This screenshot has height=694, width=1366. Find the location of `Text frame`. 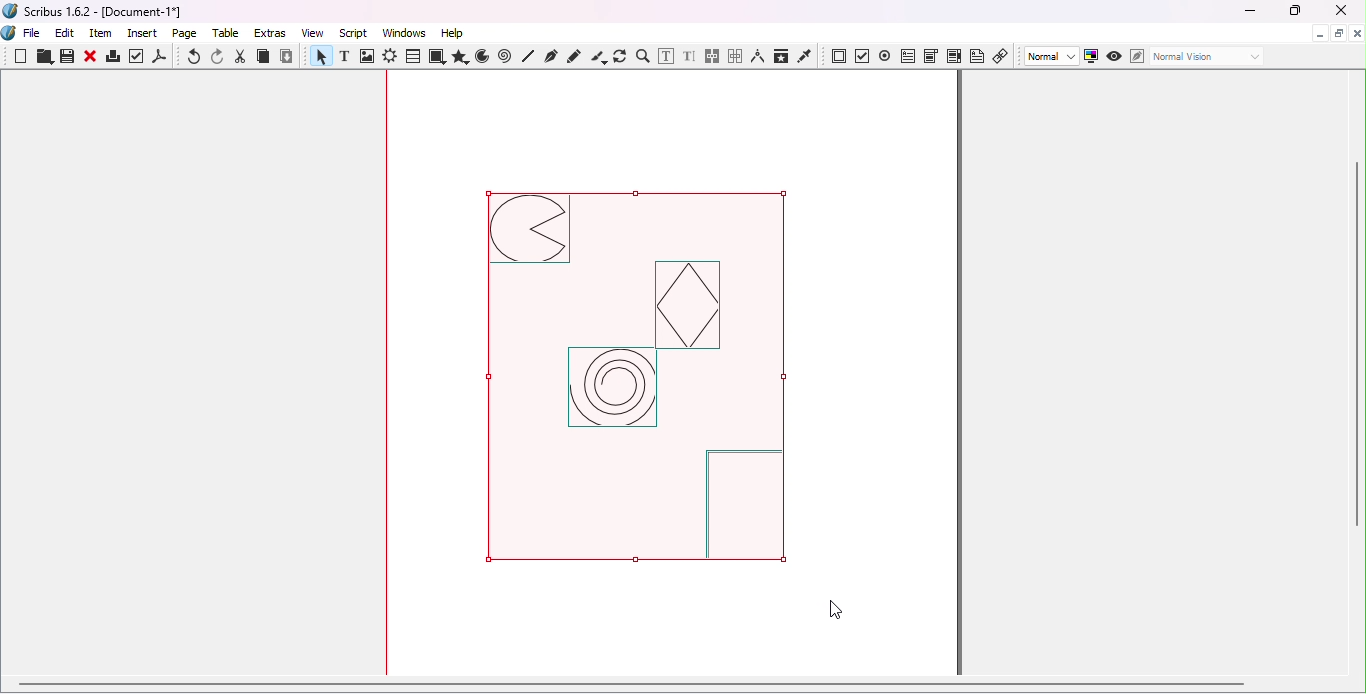

Text frame is located at coordinates (348, 58).